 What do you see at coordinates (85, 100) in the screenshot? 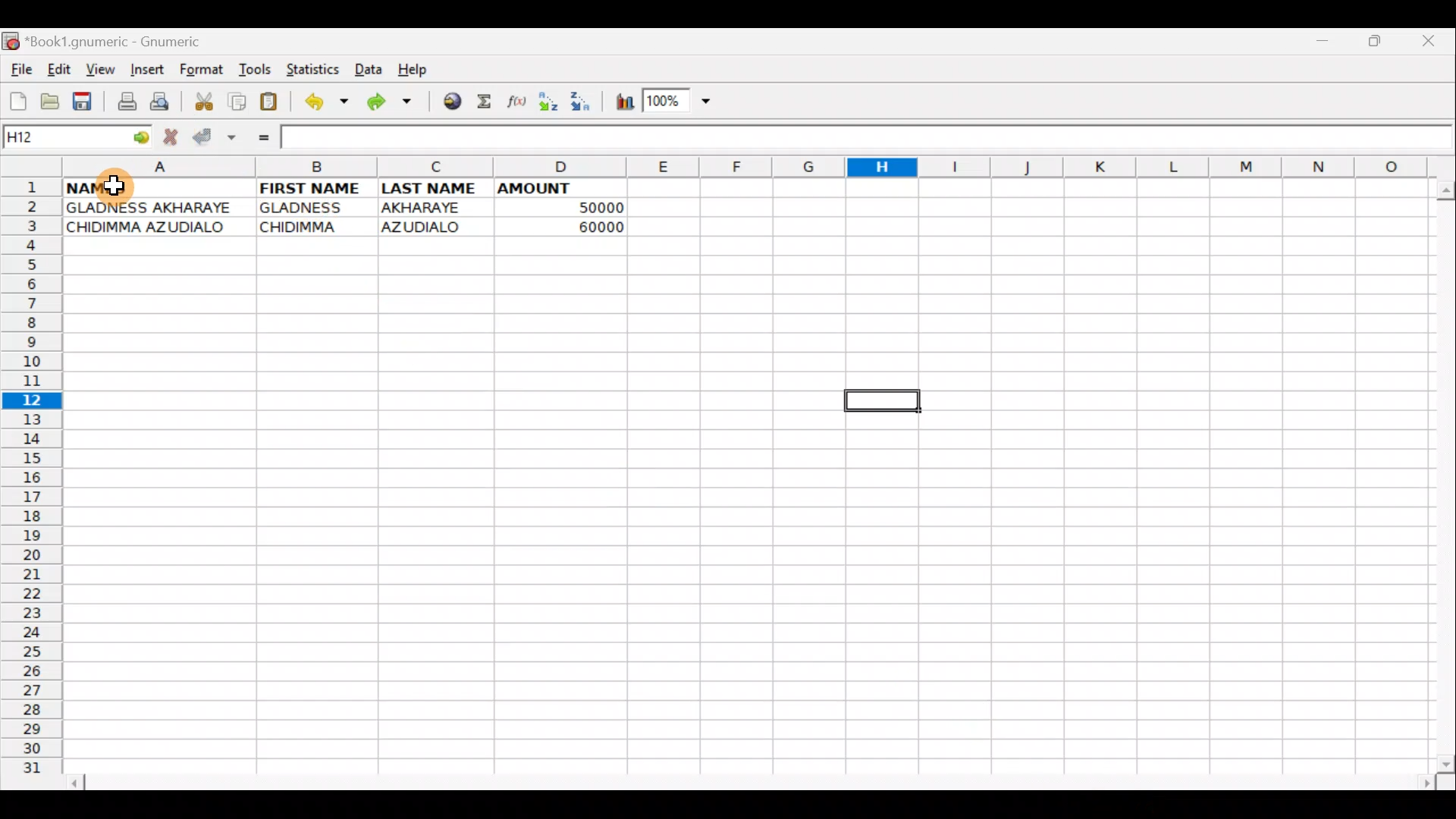
I see `Save current workbook` at bounding box center [85, 100].